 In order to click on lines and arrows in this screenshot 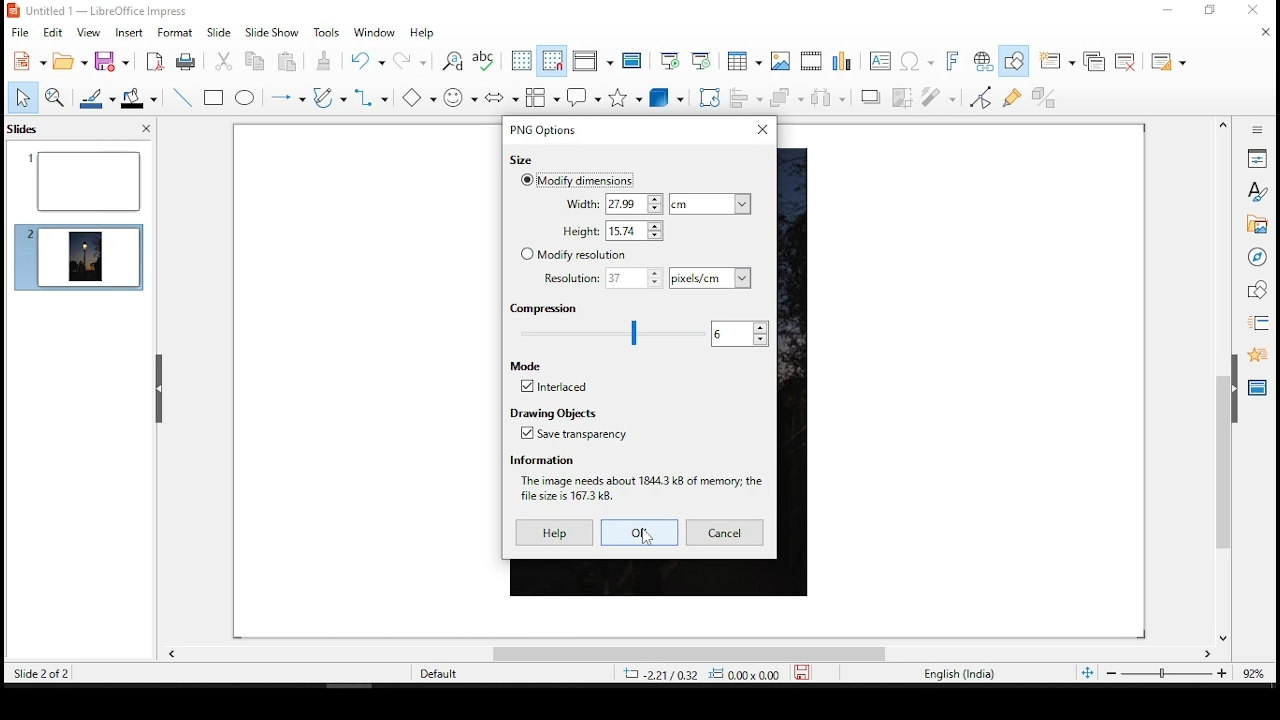, I will do `click(287, 98)`.